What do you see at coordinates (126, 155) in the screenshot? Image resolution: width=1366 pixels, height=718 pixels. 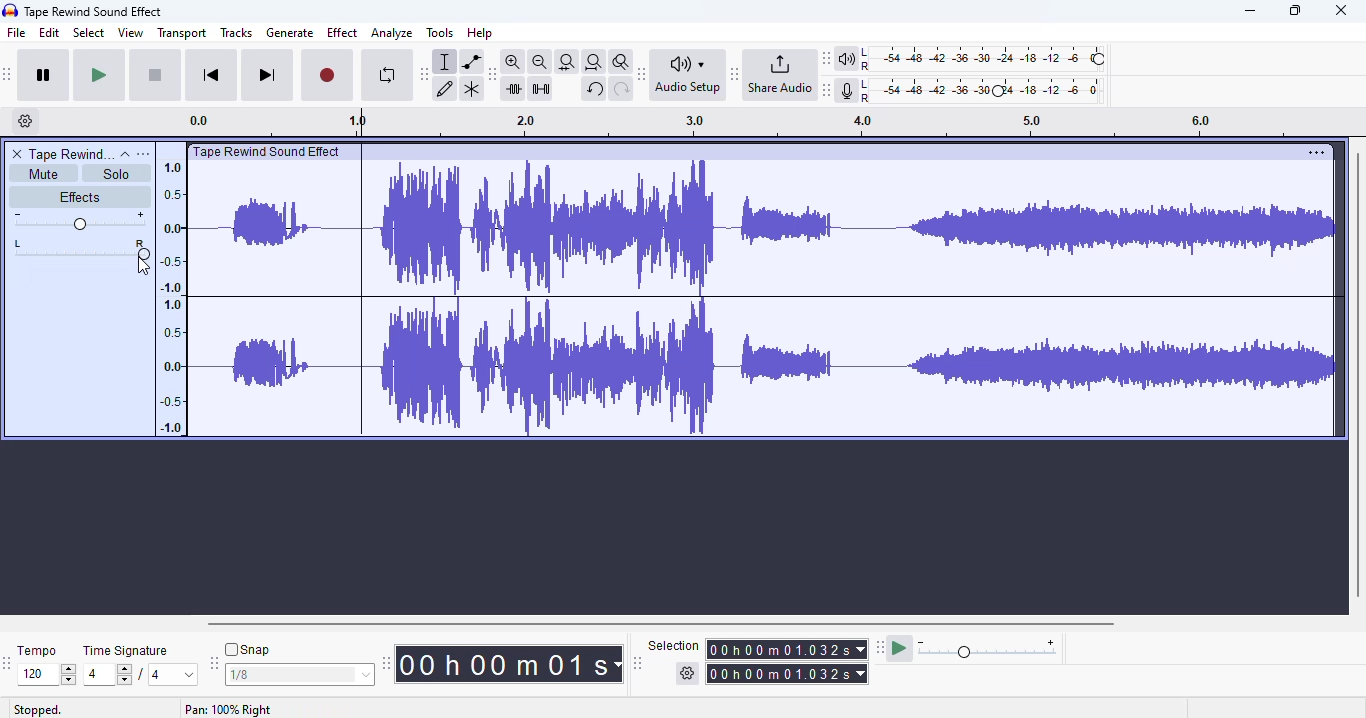 I see `collapse` at bounding box center [126, 155].